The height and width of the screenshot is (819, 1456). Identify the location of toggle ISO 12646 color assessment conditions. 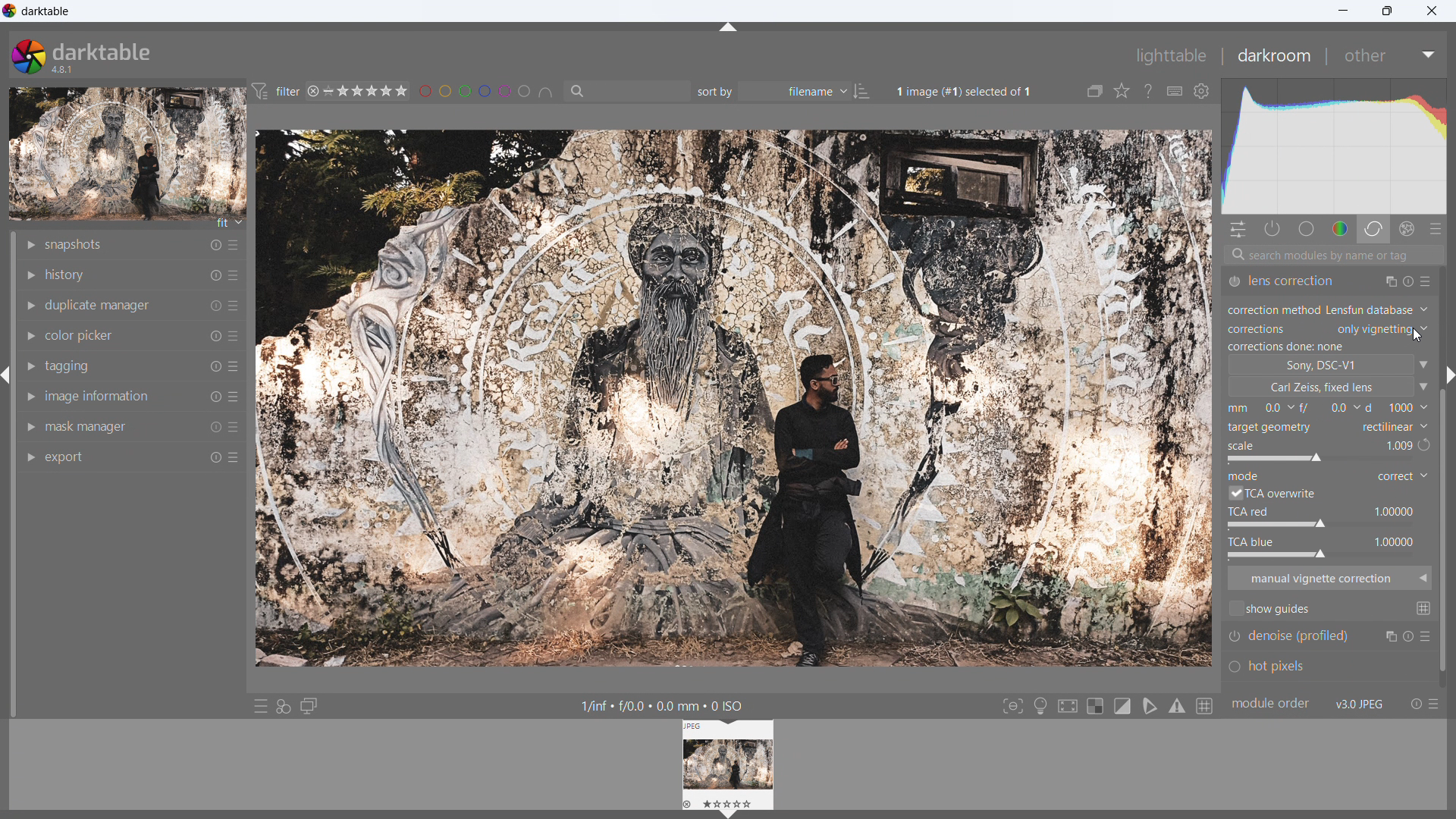
(1040, 705).